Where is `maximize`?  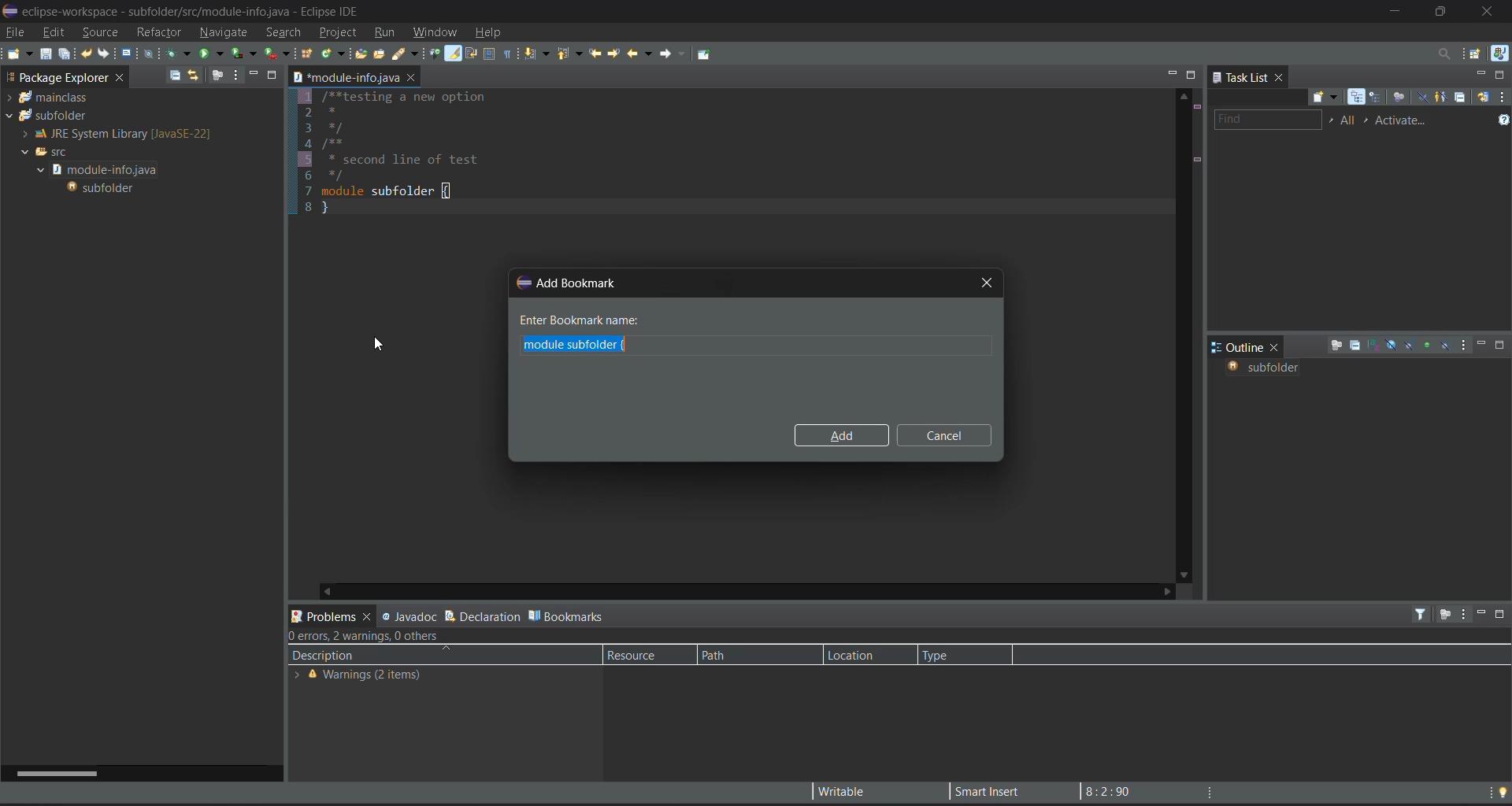 maximize is located at coordinates (1446, 9).